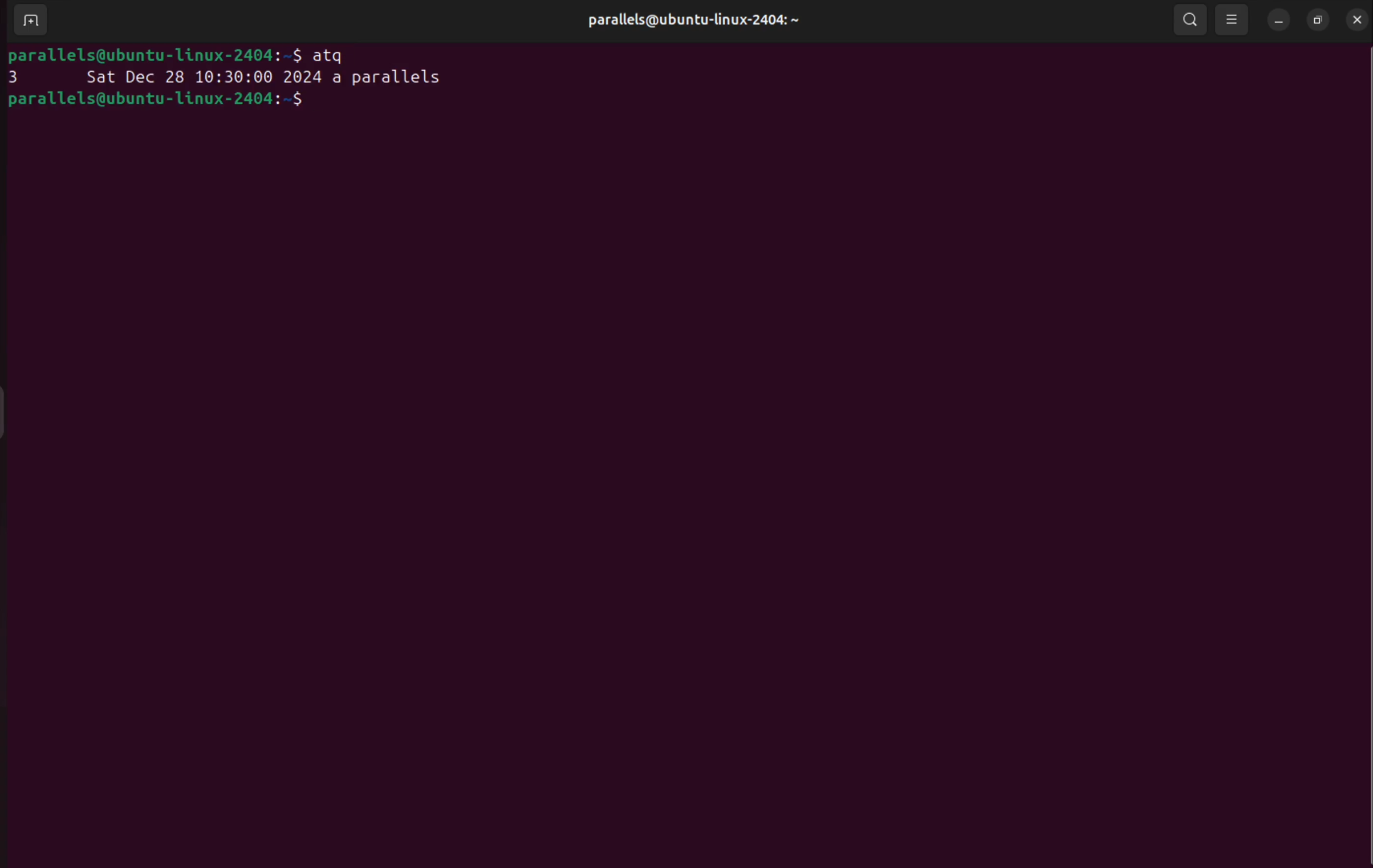 The width and height of the screenshot is (1373, 868). Describe the element at coordinates (699, 21) in the screenshot. I see `parallels user profile` at that location.